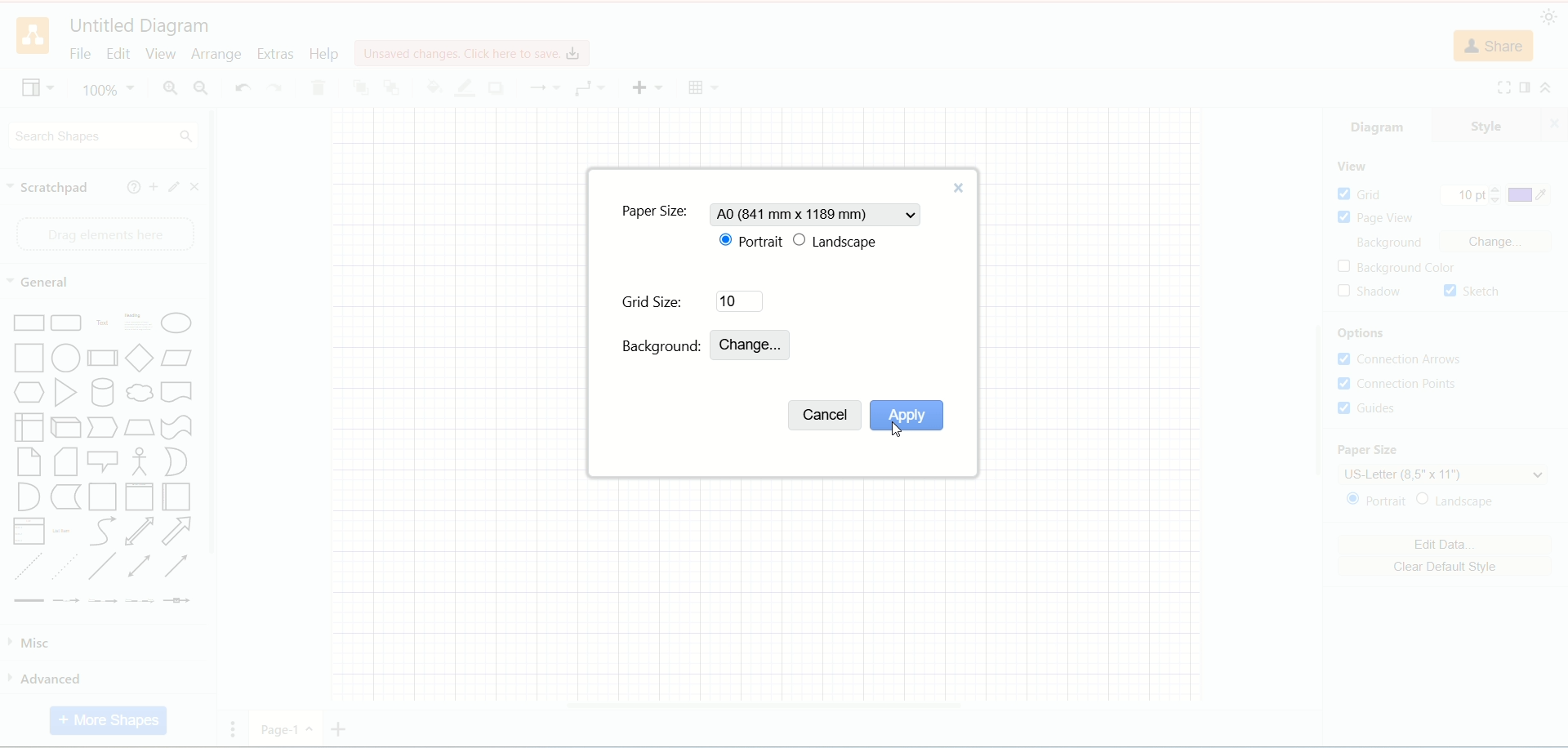  What do you see at coordinates (474, 53) in the screenshot?
I see `click here to save` at bounding box center [474, 53].